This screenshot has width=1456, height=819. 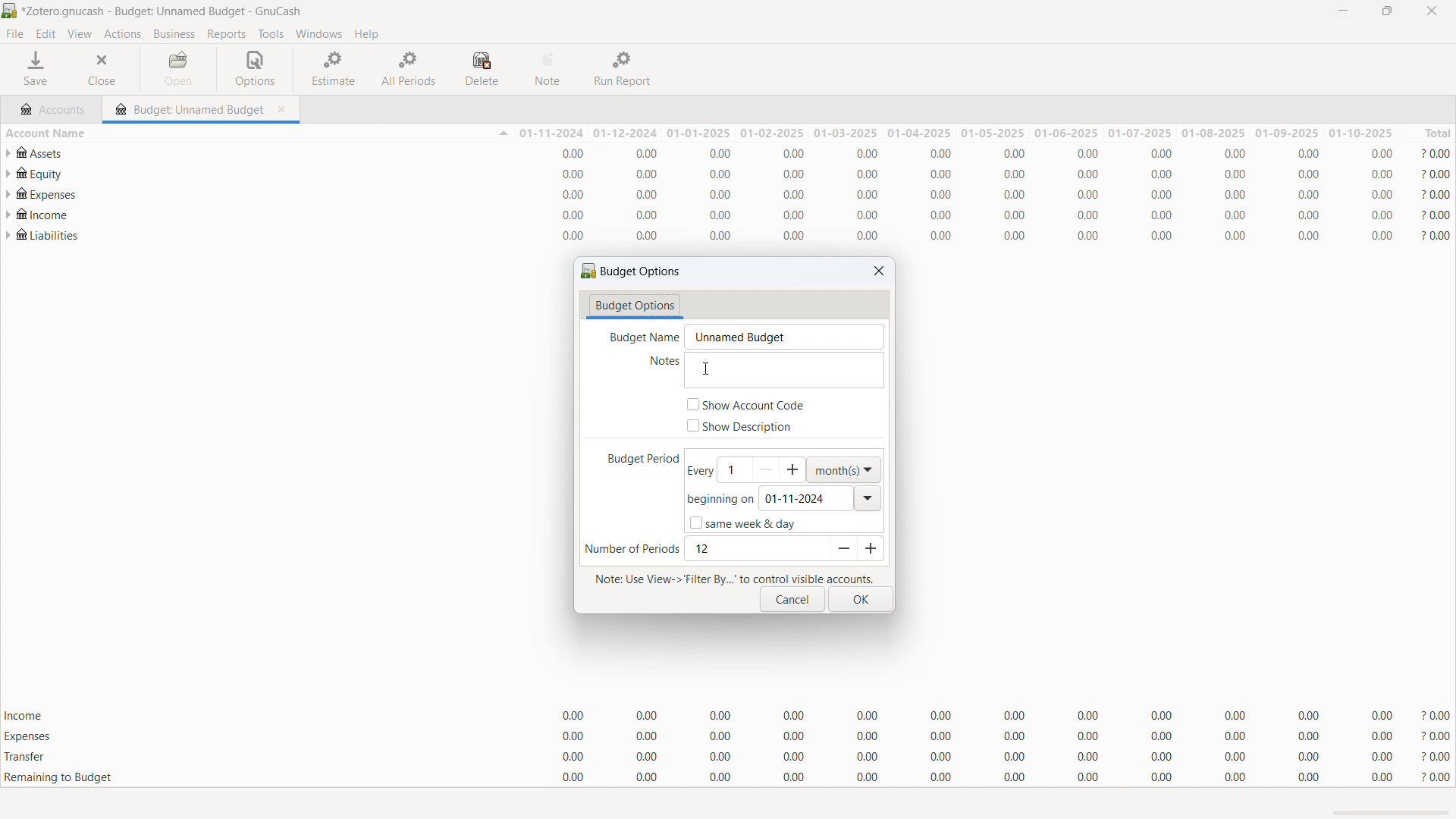 What do you see at coordinates (9, 193) in the screenshot?
I see `expand subaccounts` at bounding box center [9, 193].